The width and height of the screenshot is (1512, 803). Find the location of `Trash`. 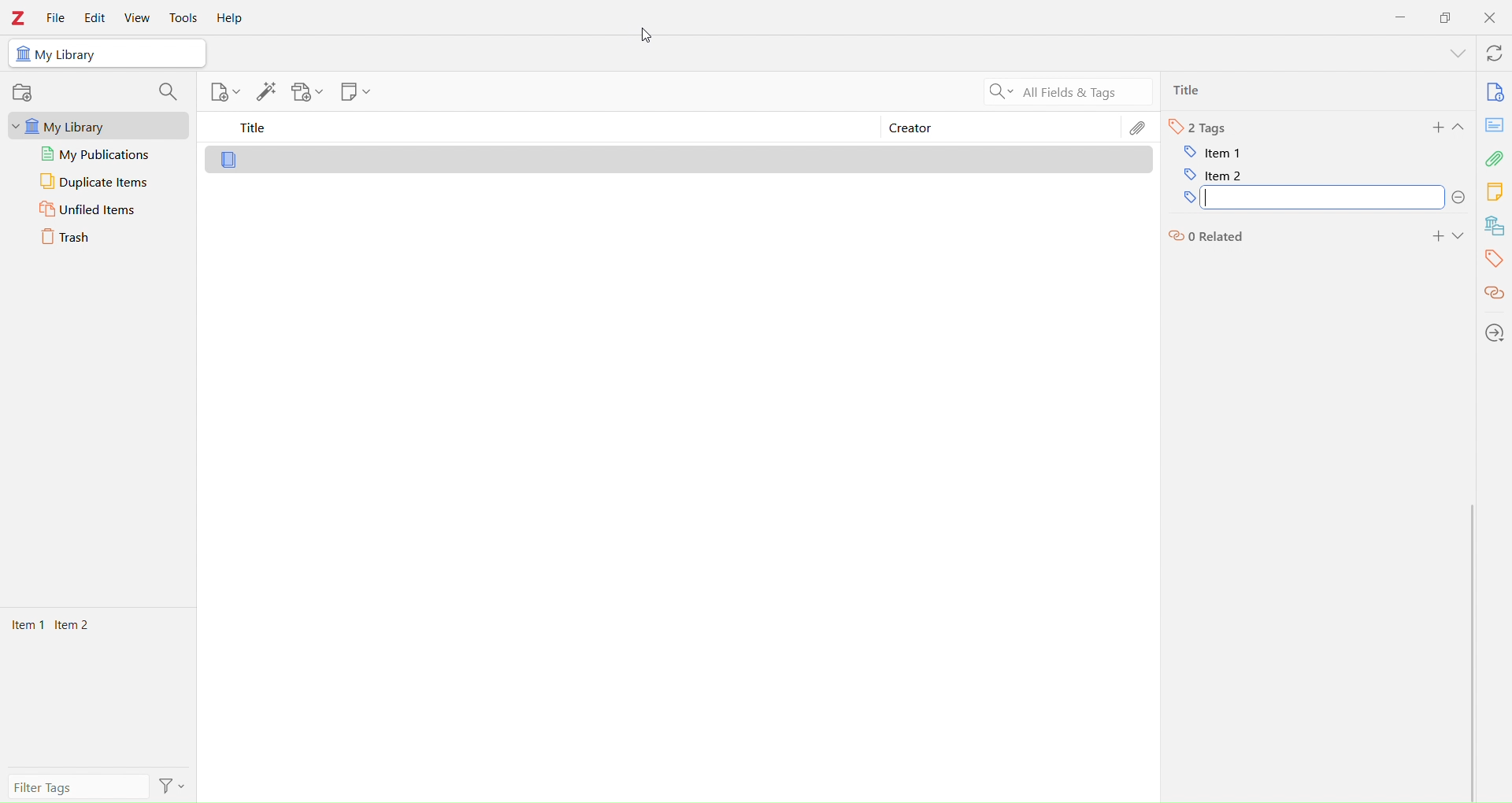

Trash is located at coordinates (65, 236).